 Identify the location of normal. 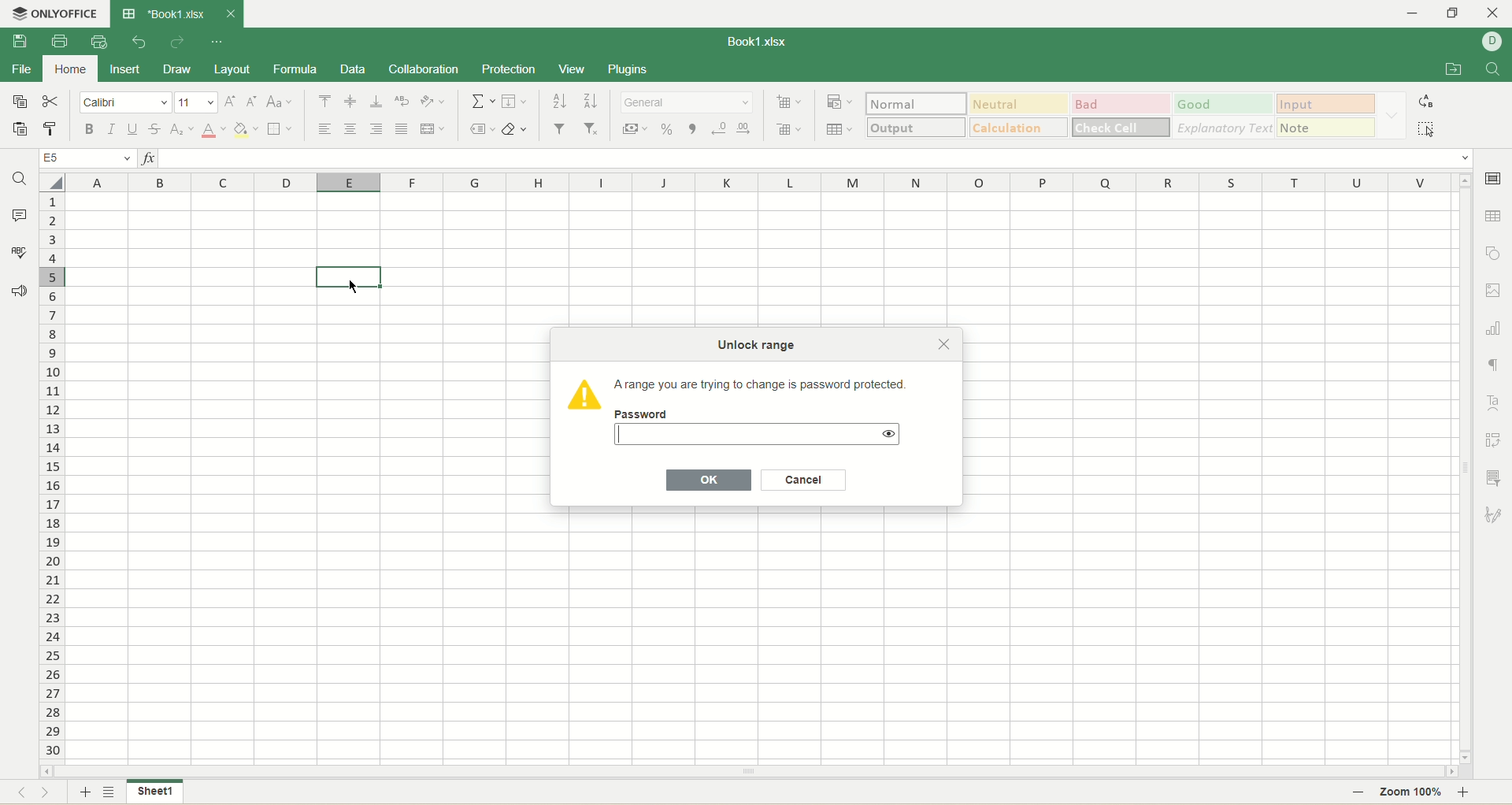
(914, 104).